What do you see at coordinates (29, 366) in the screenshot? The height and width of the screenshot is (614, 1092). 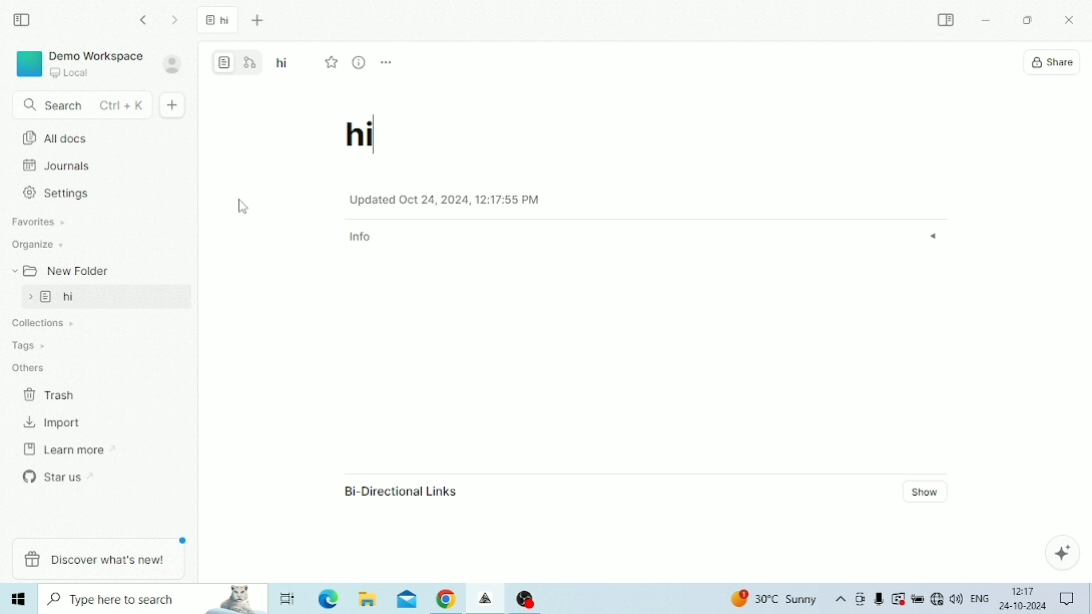 I see `Others` at bounding box center [29, 366].